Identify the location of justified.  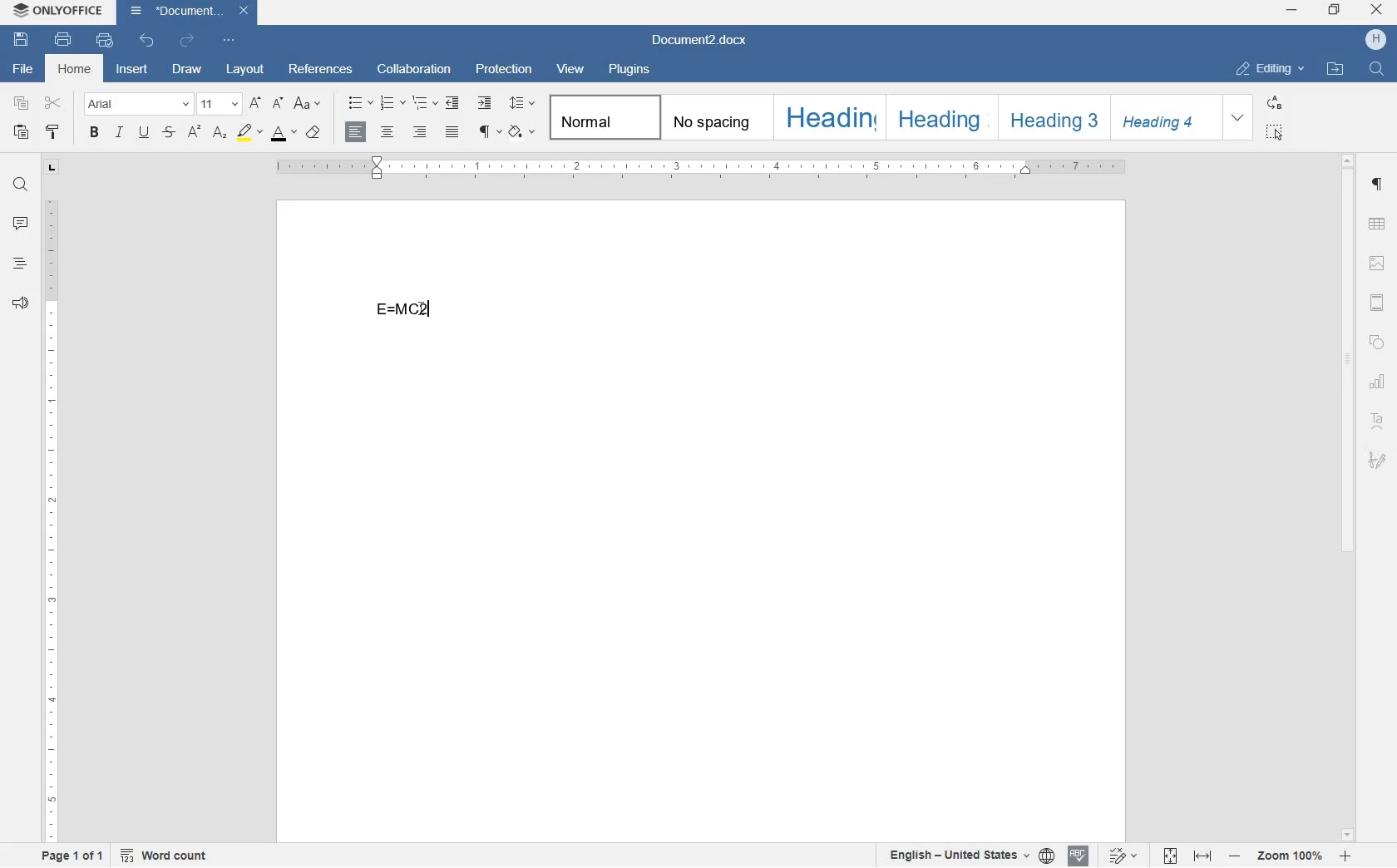
(453, 131).